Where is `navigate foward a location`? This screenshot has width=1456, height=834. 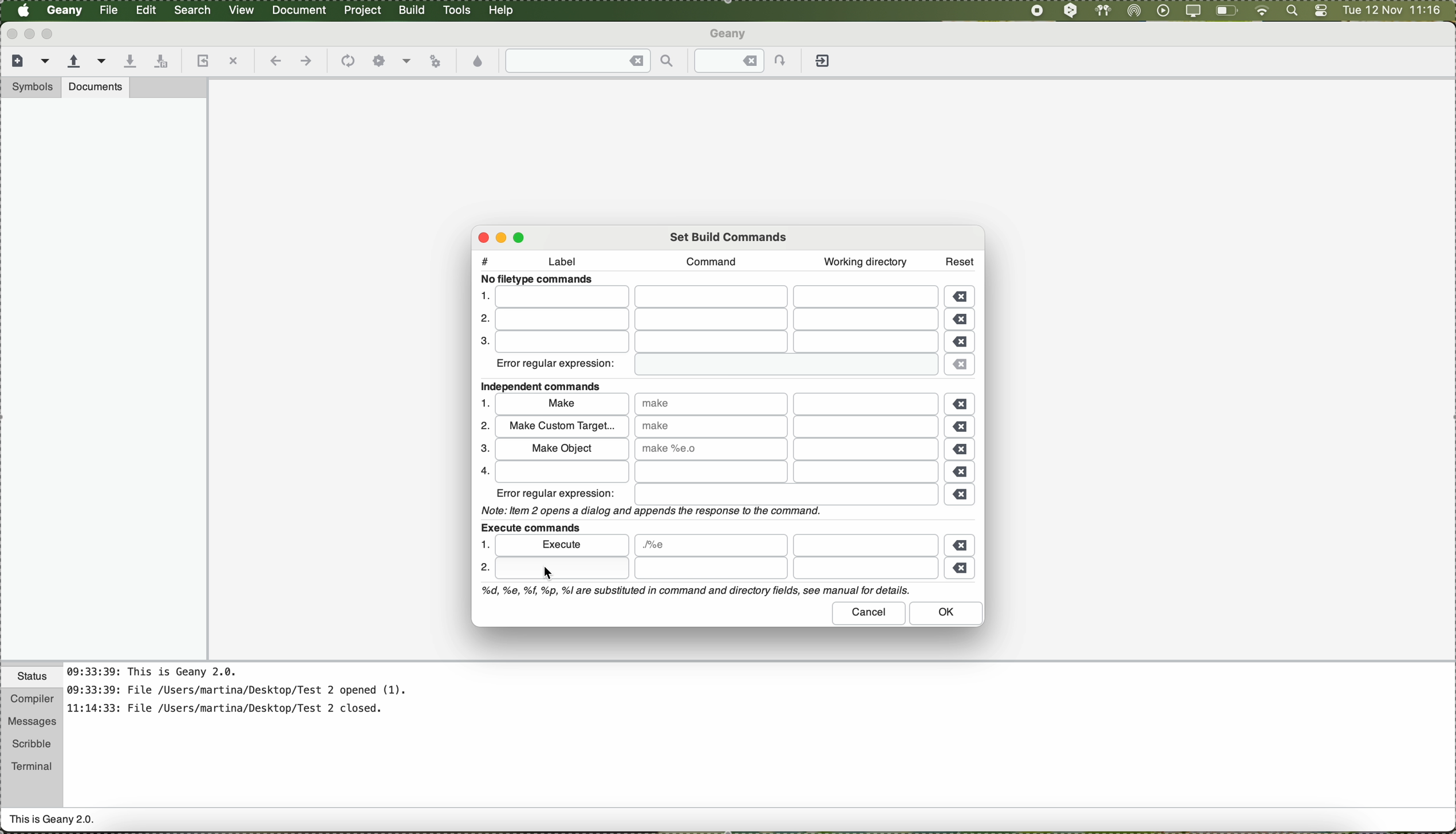 navigate foward a location is located at coordinates (305, 61).